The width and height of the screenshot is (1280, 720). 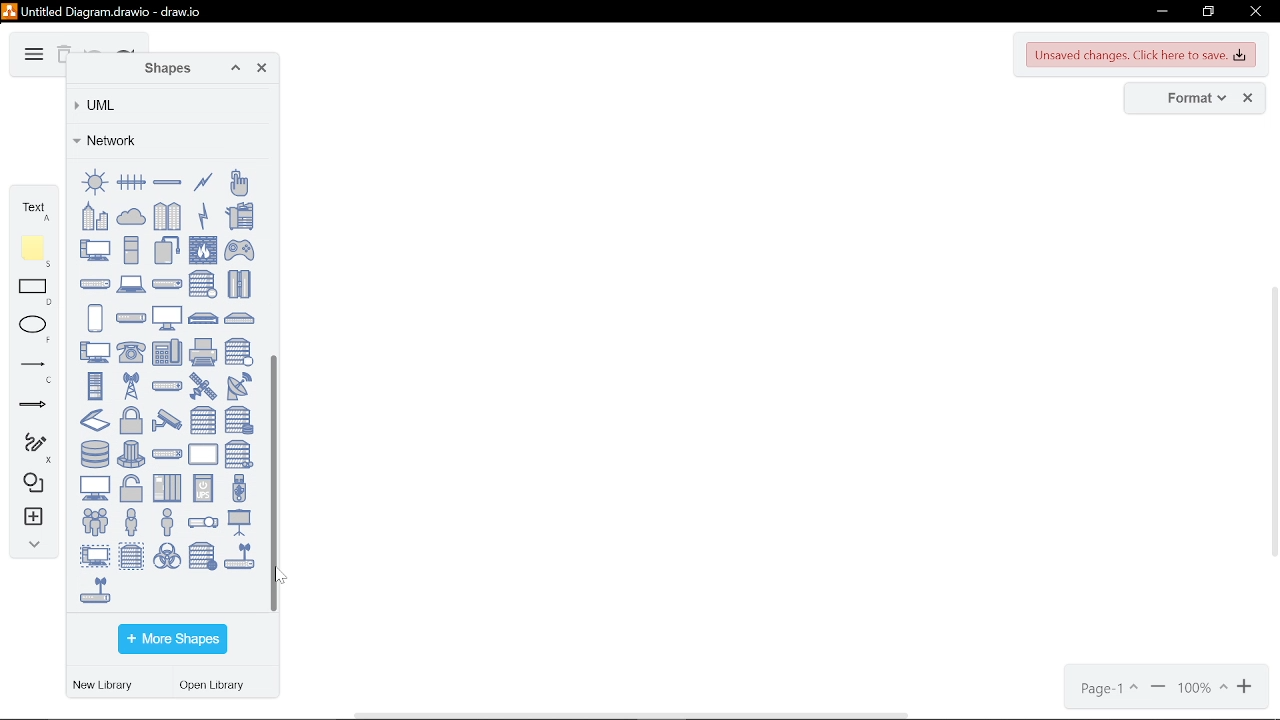 I want to click on zoom in, so click(x=1247, y=688).